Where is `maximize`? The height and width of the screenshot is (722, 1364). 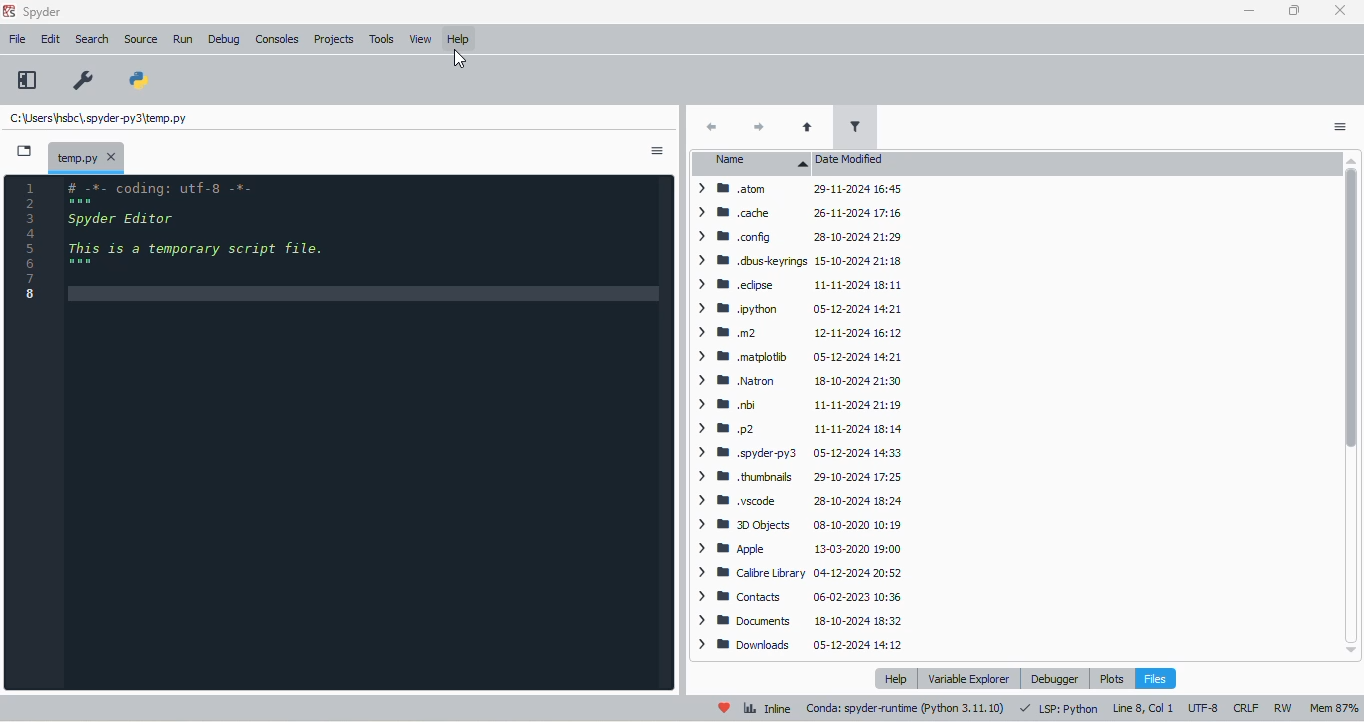
maximize is located at coordinates (1295, 10).